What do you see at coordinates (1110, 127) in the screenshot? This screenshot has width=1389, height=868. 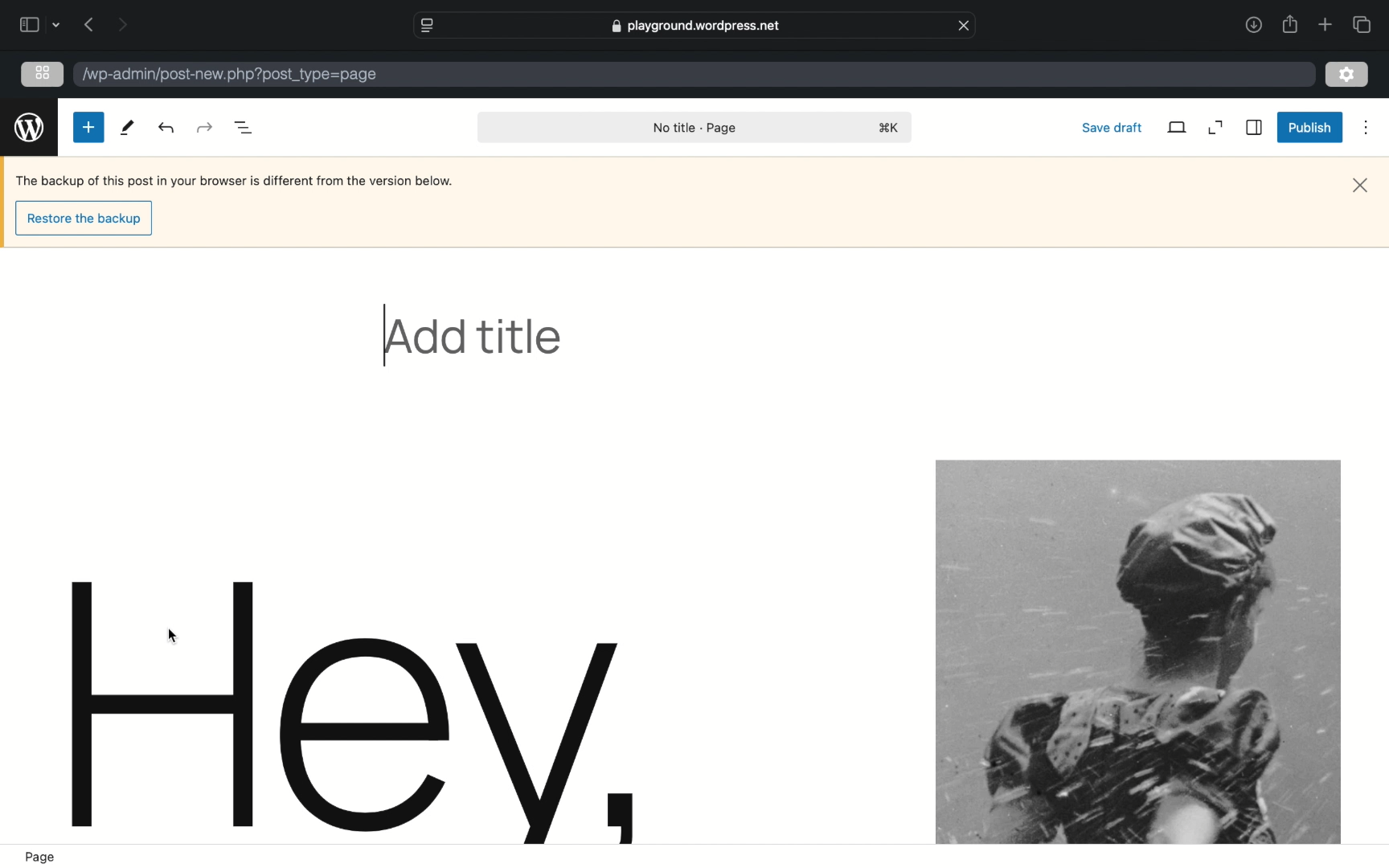 I see `save draft` at bounding box center [1110, 127].